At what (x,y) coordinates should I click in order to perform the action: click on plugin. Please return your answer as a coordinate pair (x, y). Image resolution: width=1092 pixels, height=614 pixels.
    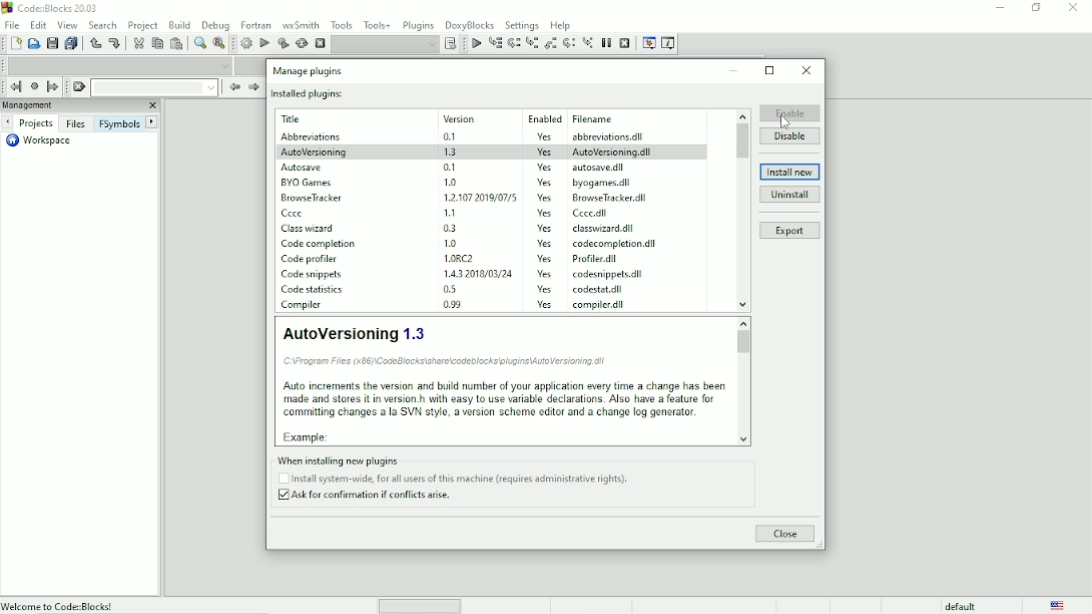
    Looking at the image, I should click on (321, 244).